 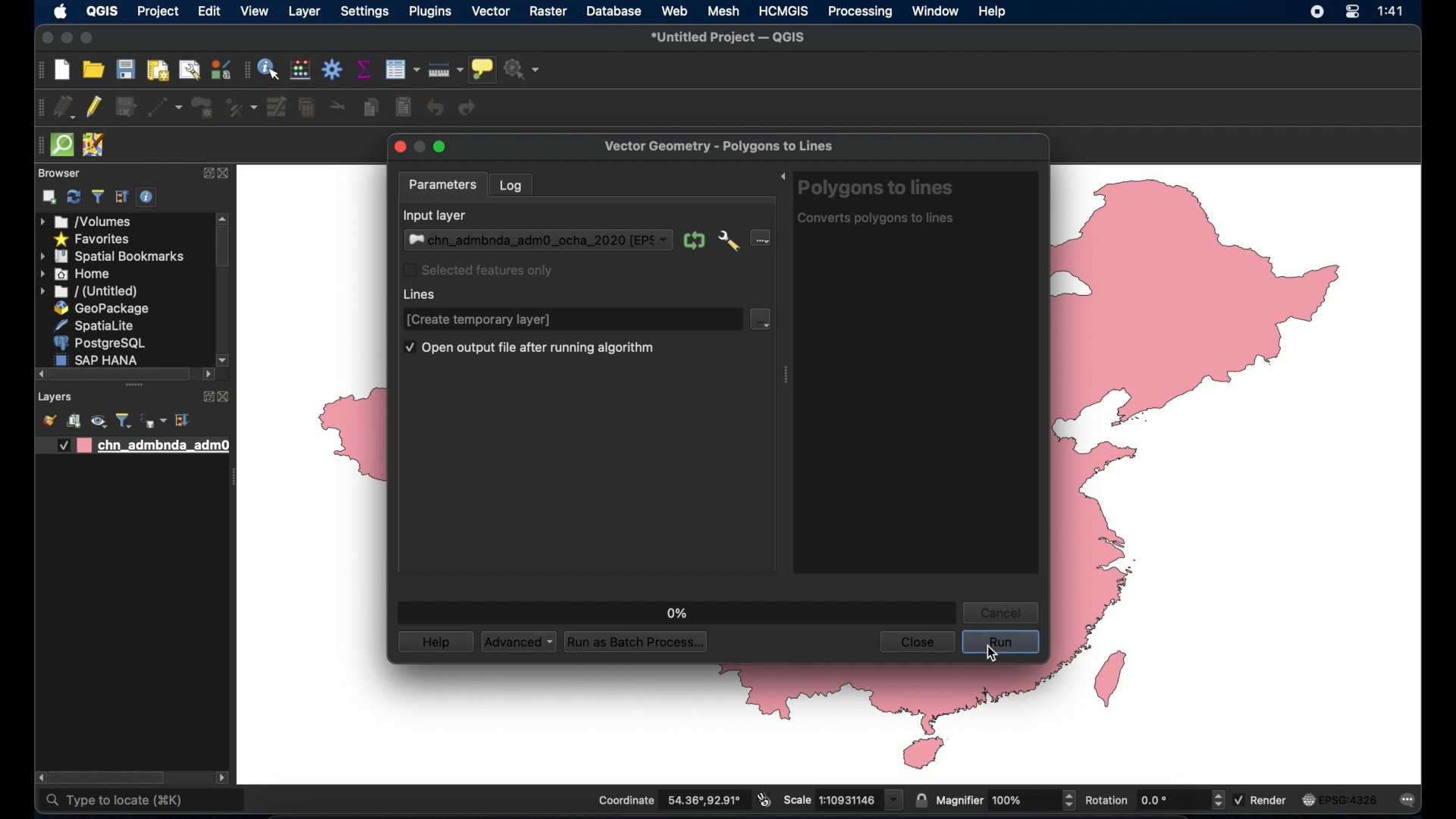 What do you see at coordinates (93, 325) in the screenshot?
I see `spatiallite` at bounding box center [93, 325].